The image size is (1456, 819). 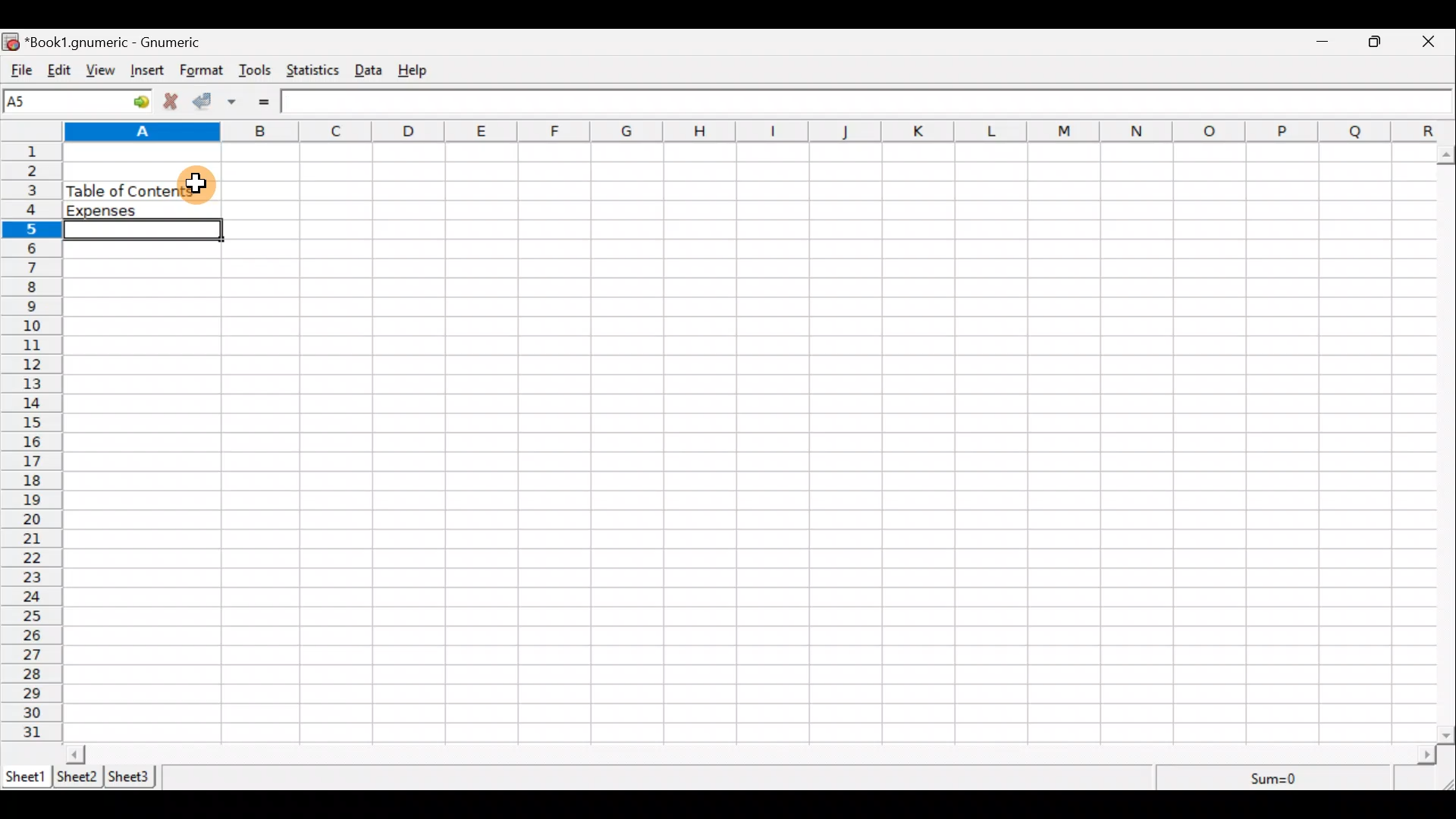 What do you see at coordinates (59, 71) in the screenshot?
I see `Edit` at bounding box center [59, 71].